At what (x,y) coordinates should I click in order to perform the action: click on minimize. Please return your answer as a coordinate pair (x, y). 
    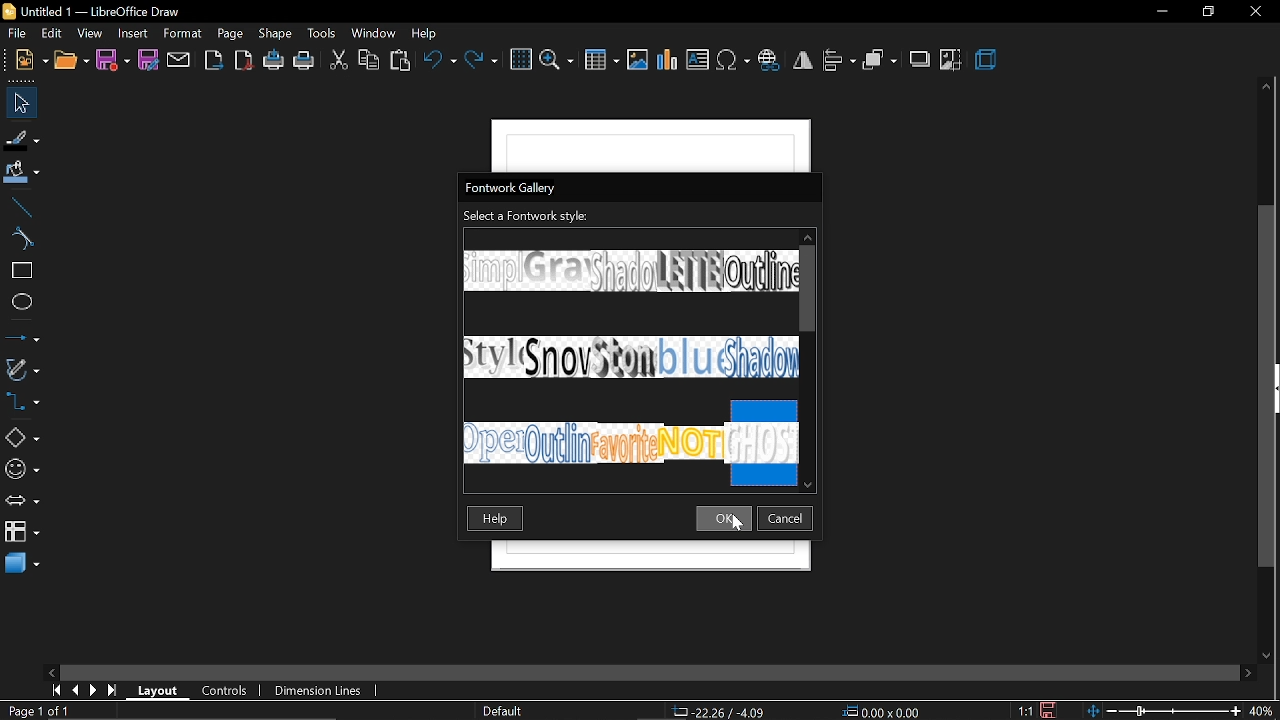
    Looking at the image, I should click on (1162, 12).